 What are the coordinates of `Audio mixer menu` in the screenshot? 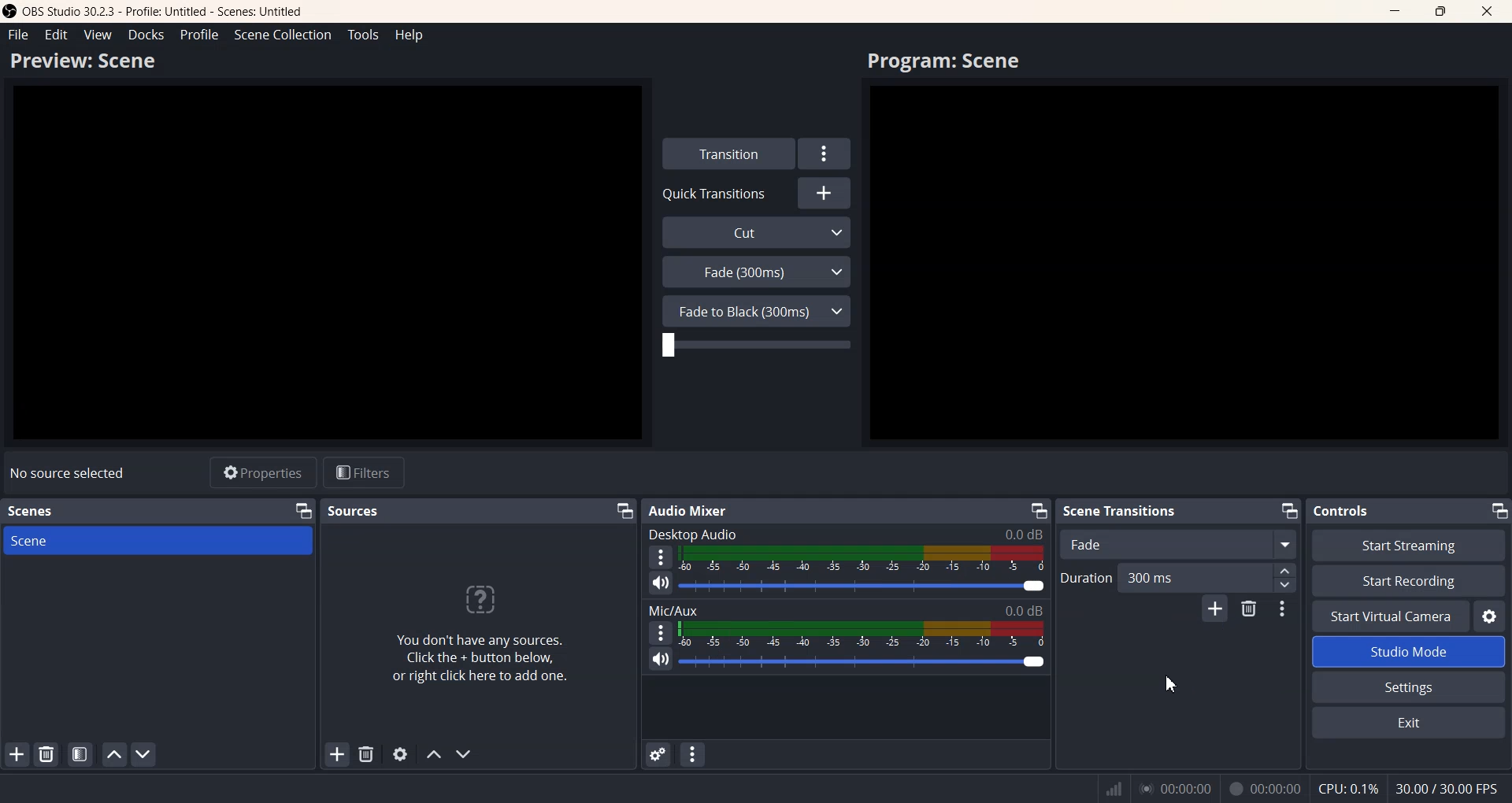 It's located at (700, 757).